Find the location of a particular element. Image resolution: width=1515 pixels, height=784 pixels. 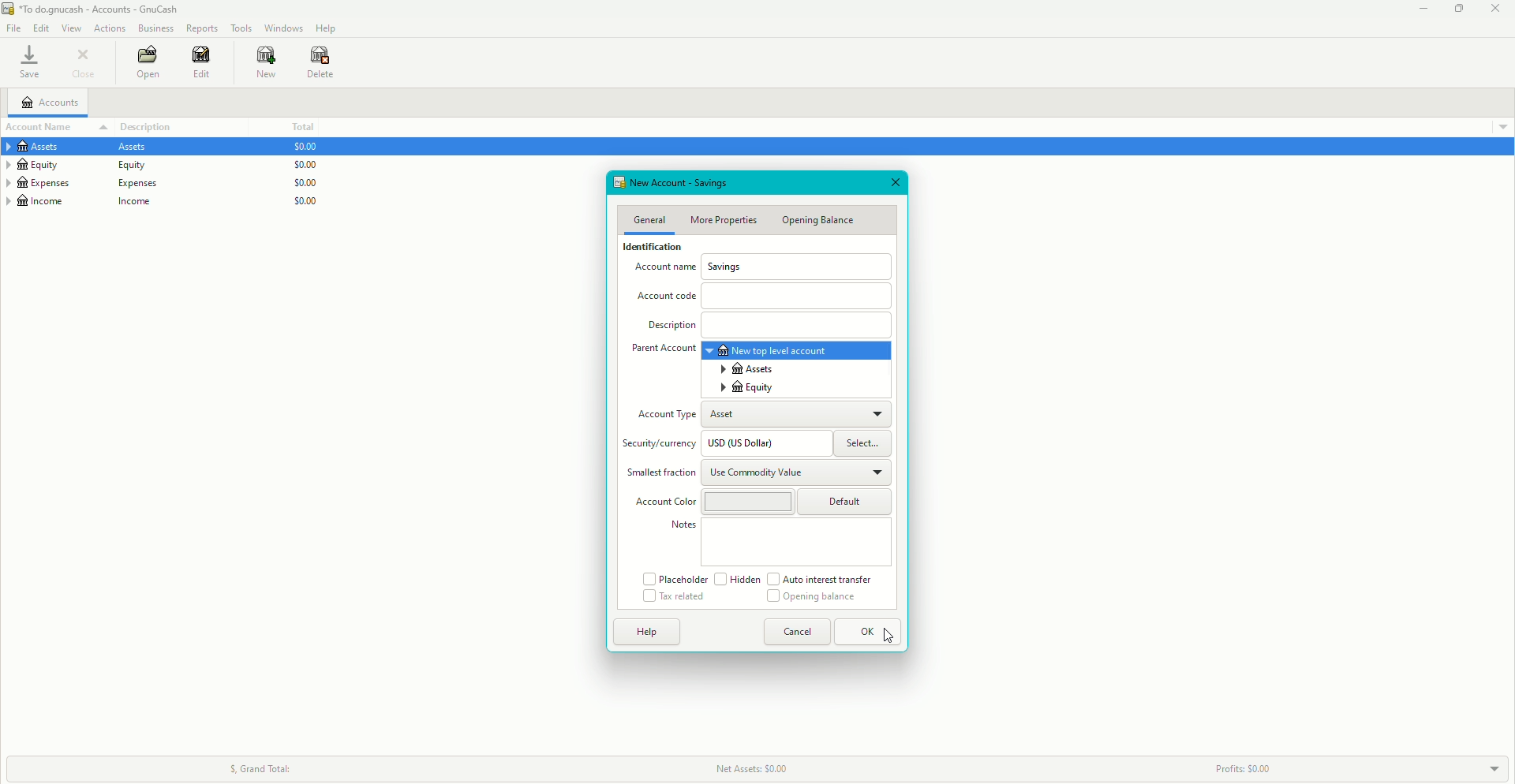

Identification is located at coordinates (649, 249).